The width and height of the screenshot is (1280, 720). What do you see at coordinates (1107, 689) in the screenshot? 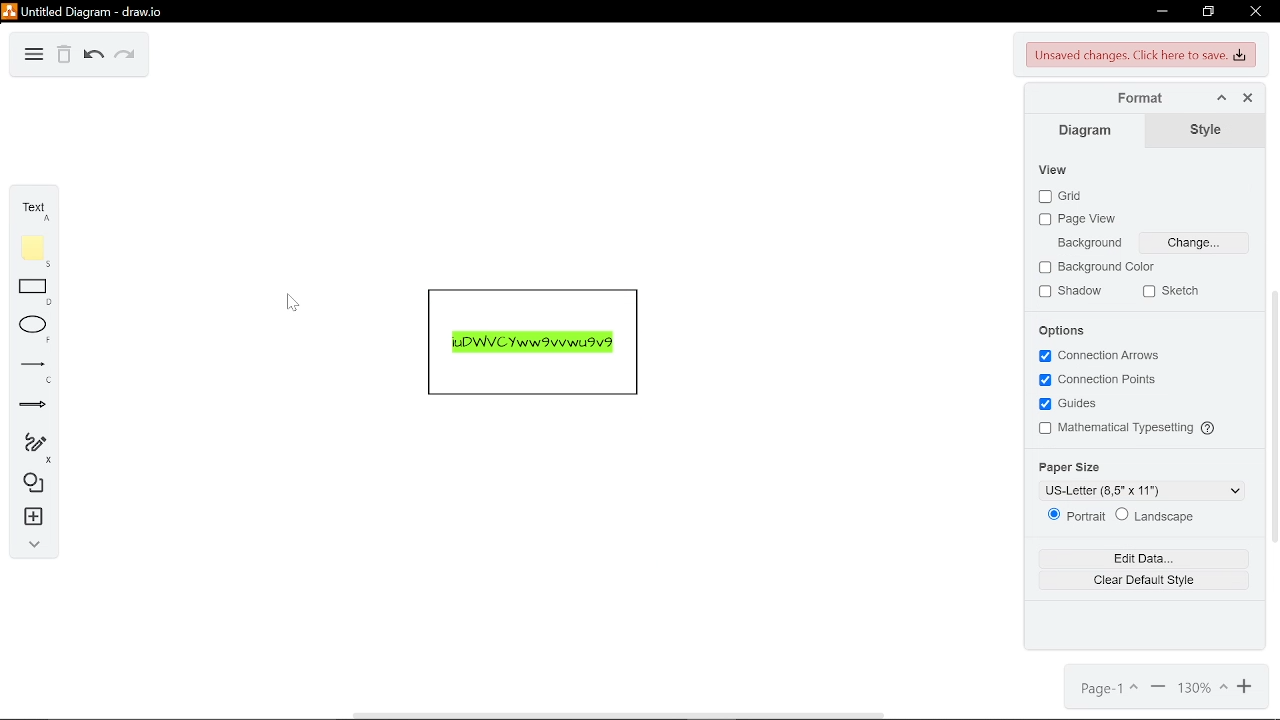
I see `page1` at bounding box center [1107, 689].